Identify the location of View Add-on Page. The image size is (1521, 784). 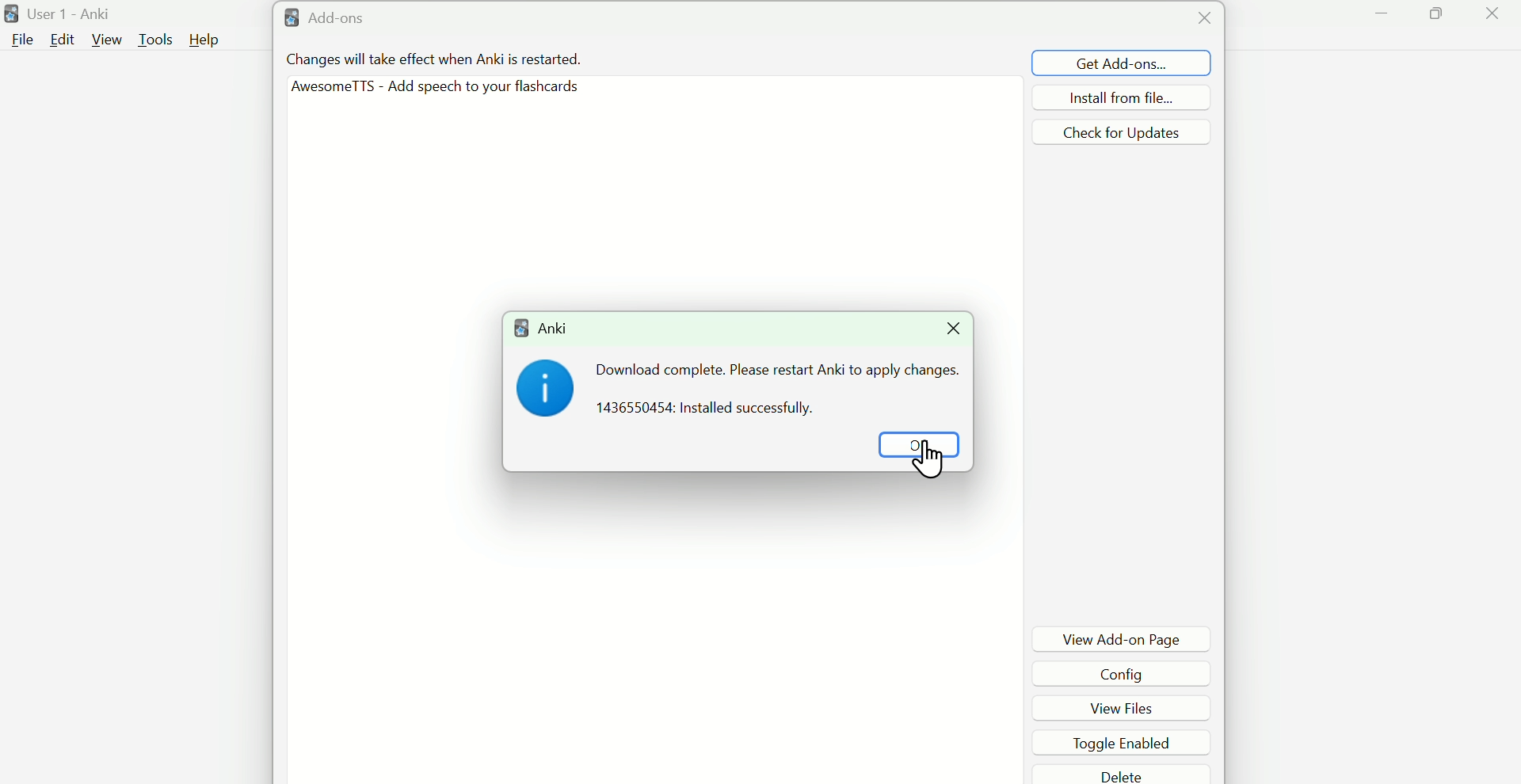
(1123, 638).